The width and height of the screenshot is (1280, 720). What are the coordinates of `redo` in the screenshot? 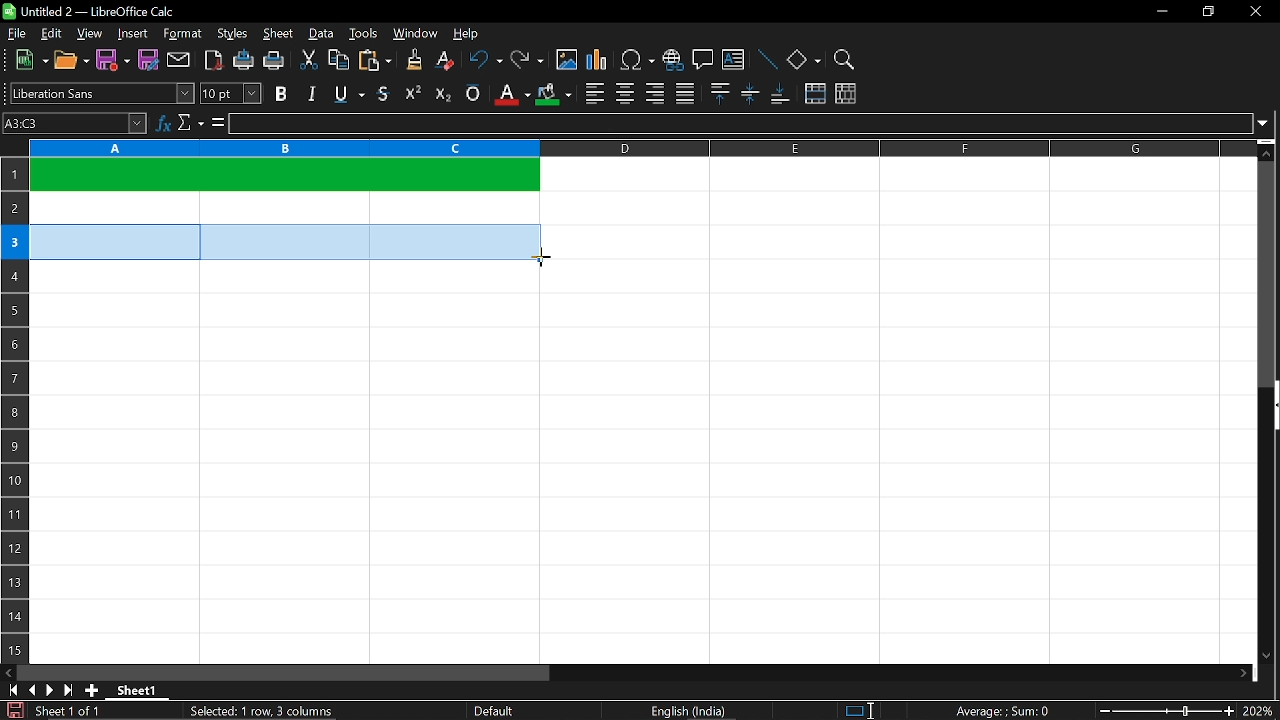 It's located at (528, 61).